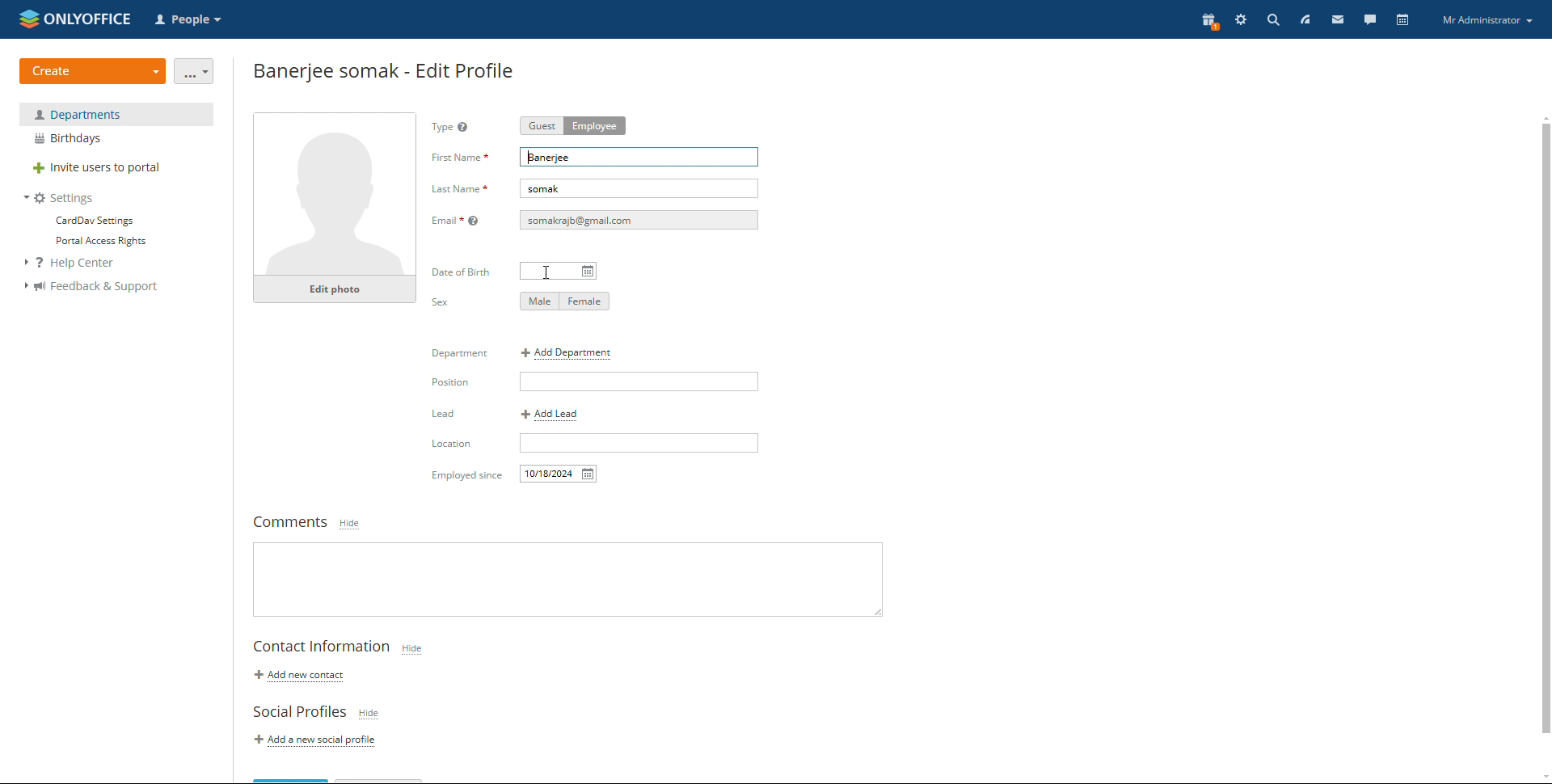 The image size is (1552, 784). I want to click on sex, so click(441, 302).